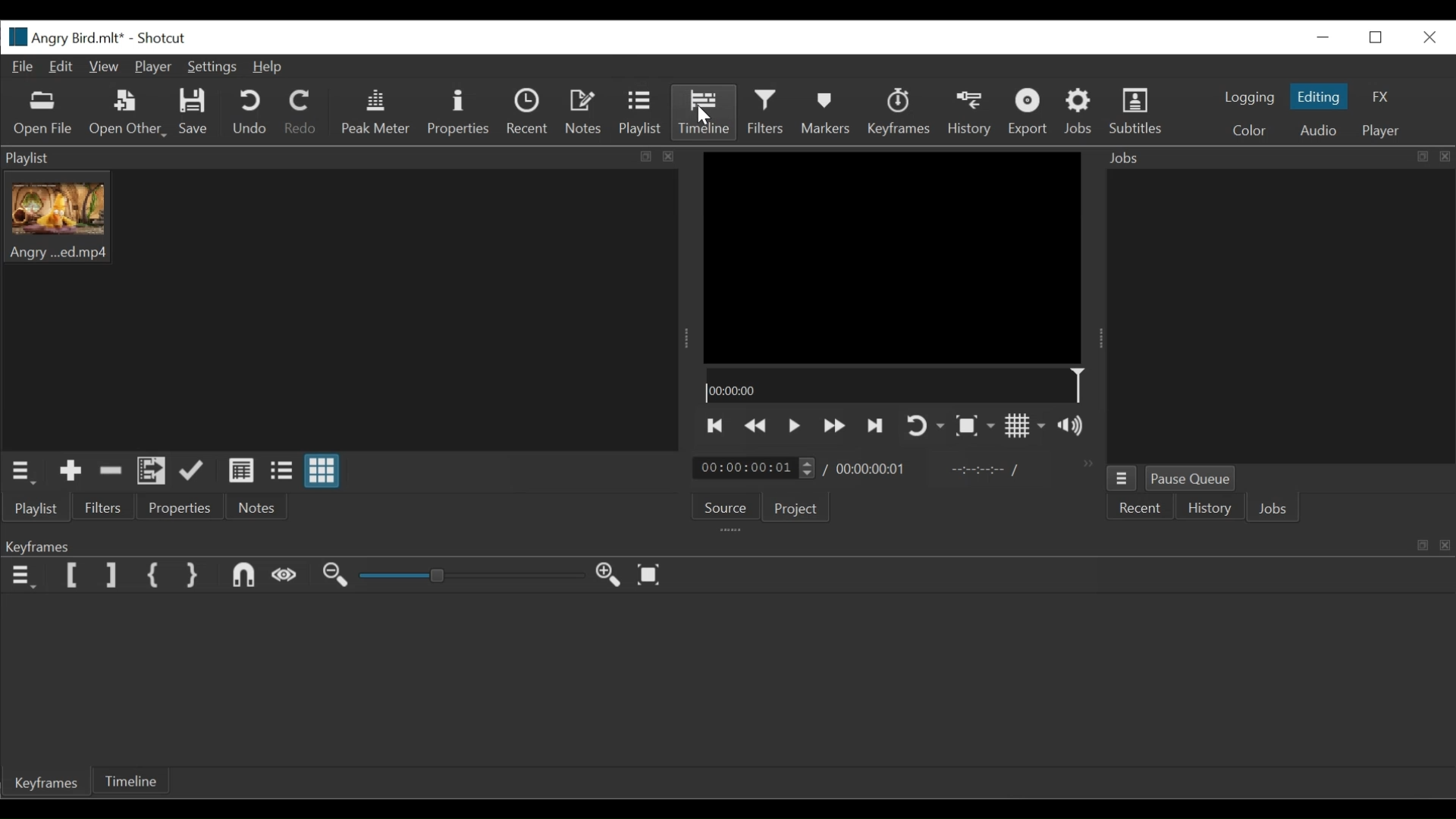  Describe the element at coordinates (335, 576) in the screenshot. I see `zoom keyframe out` at that location.